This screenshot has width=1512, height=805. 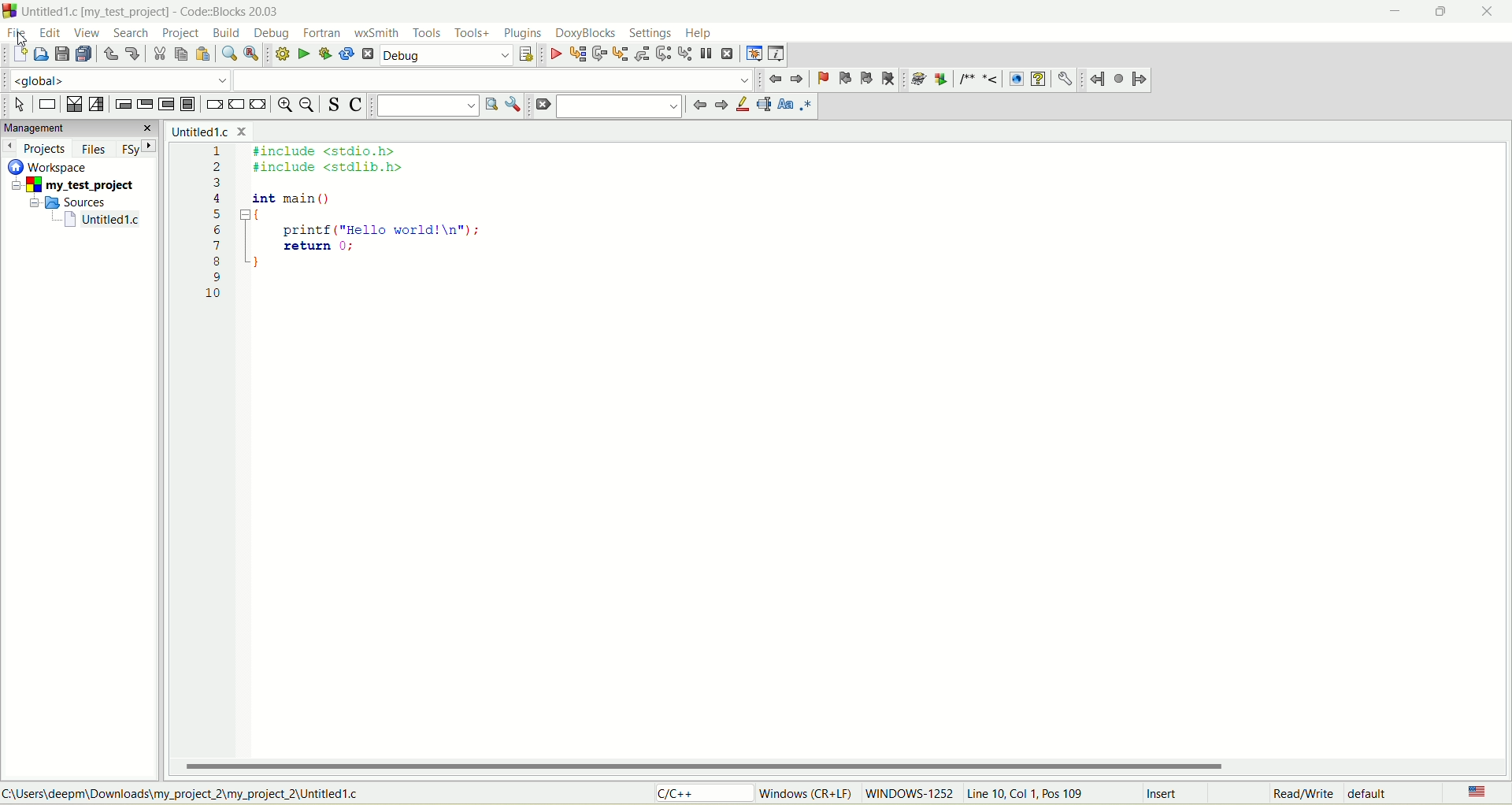 What do you see at coordinates (741, 105) in the screenshot?
I see `highlight` at bounding box center [741, 105].